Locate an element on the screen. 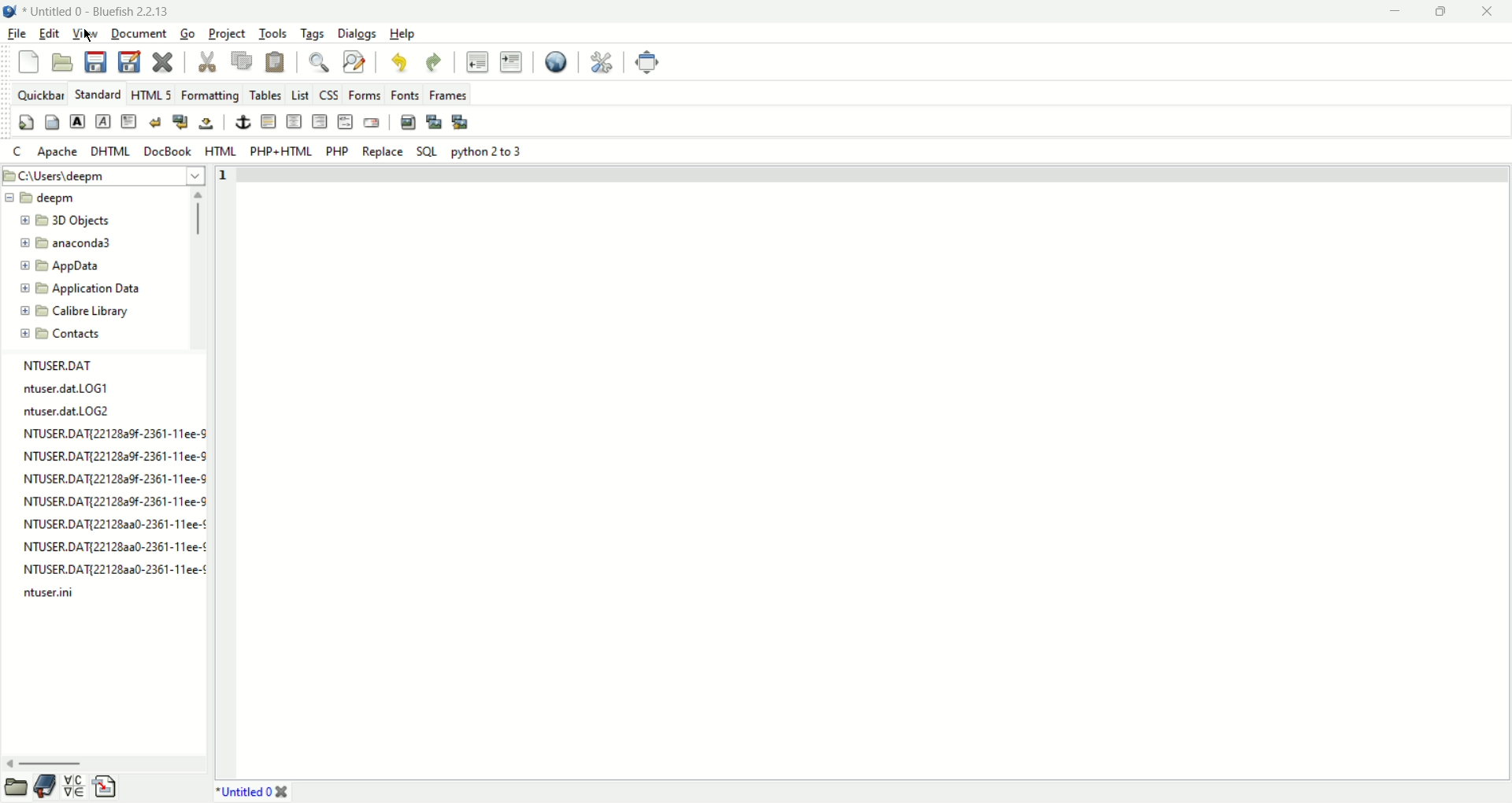 The width and height of the screenshot is (1512, 803). center is located at coordinates (295, 121).